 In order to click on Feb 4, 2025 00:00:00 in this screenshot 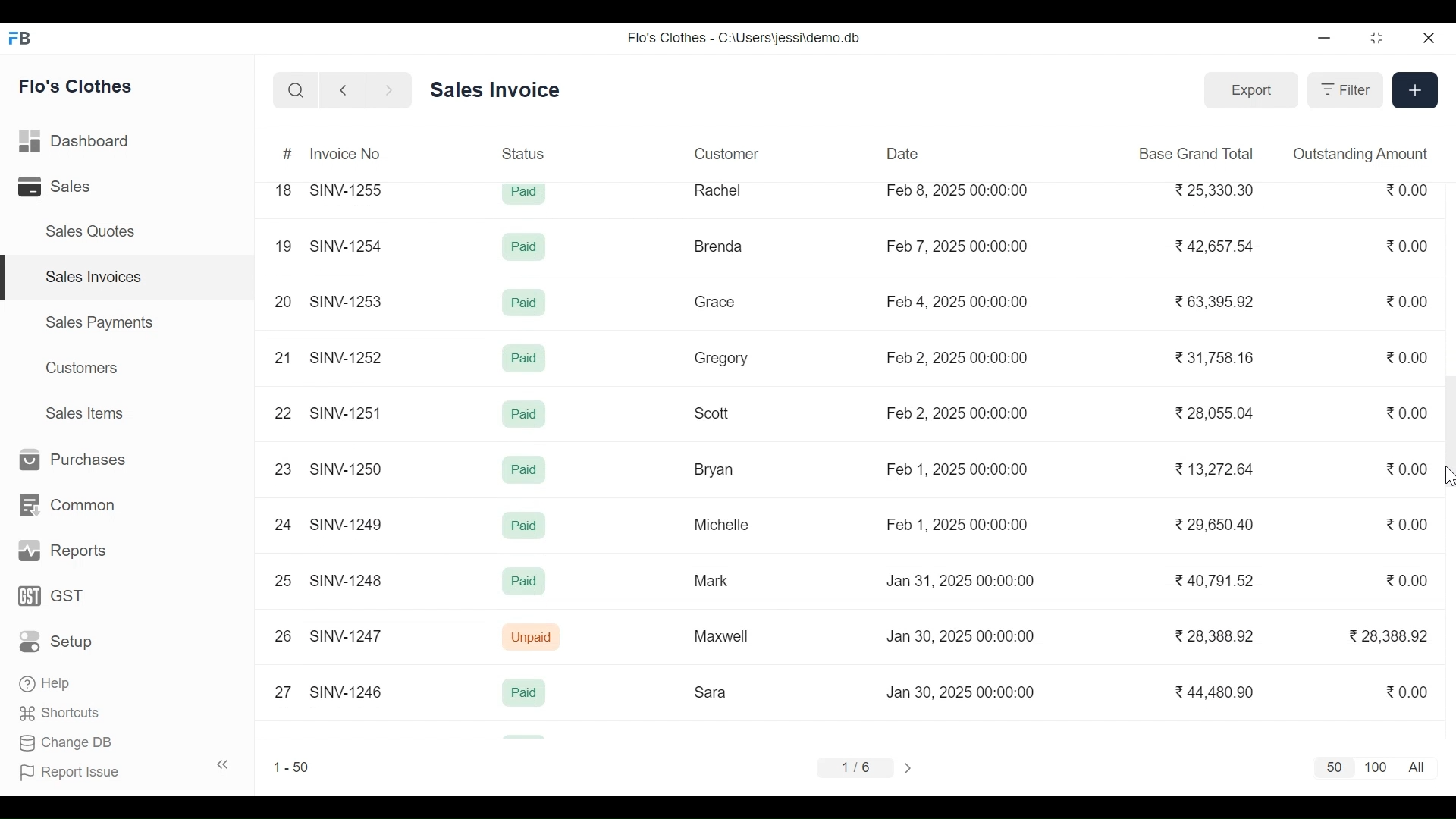, I will do `click(958, 302)`.